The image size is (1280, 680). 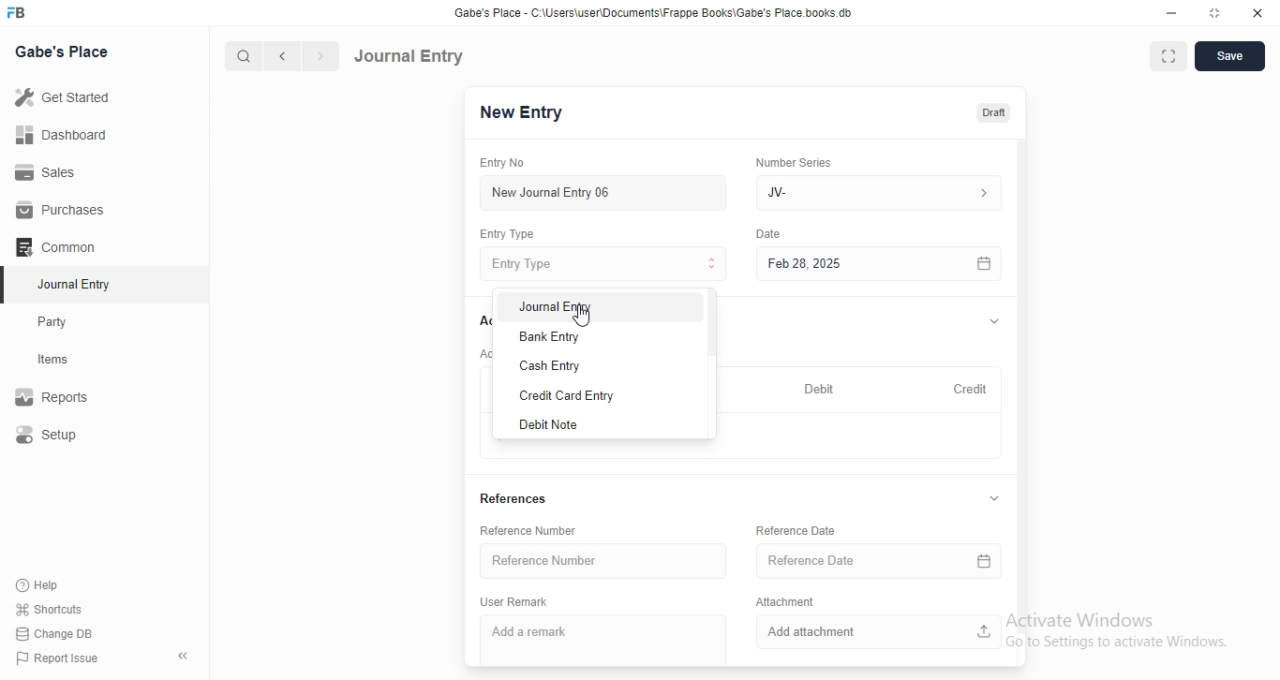 What do you see at coordinates (410, 55) in the screenshot?
I see `Journal Entry` at bounding box center [410, 55].